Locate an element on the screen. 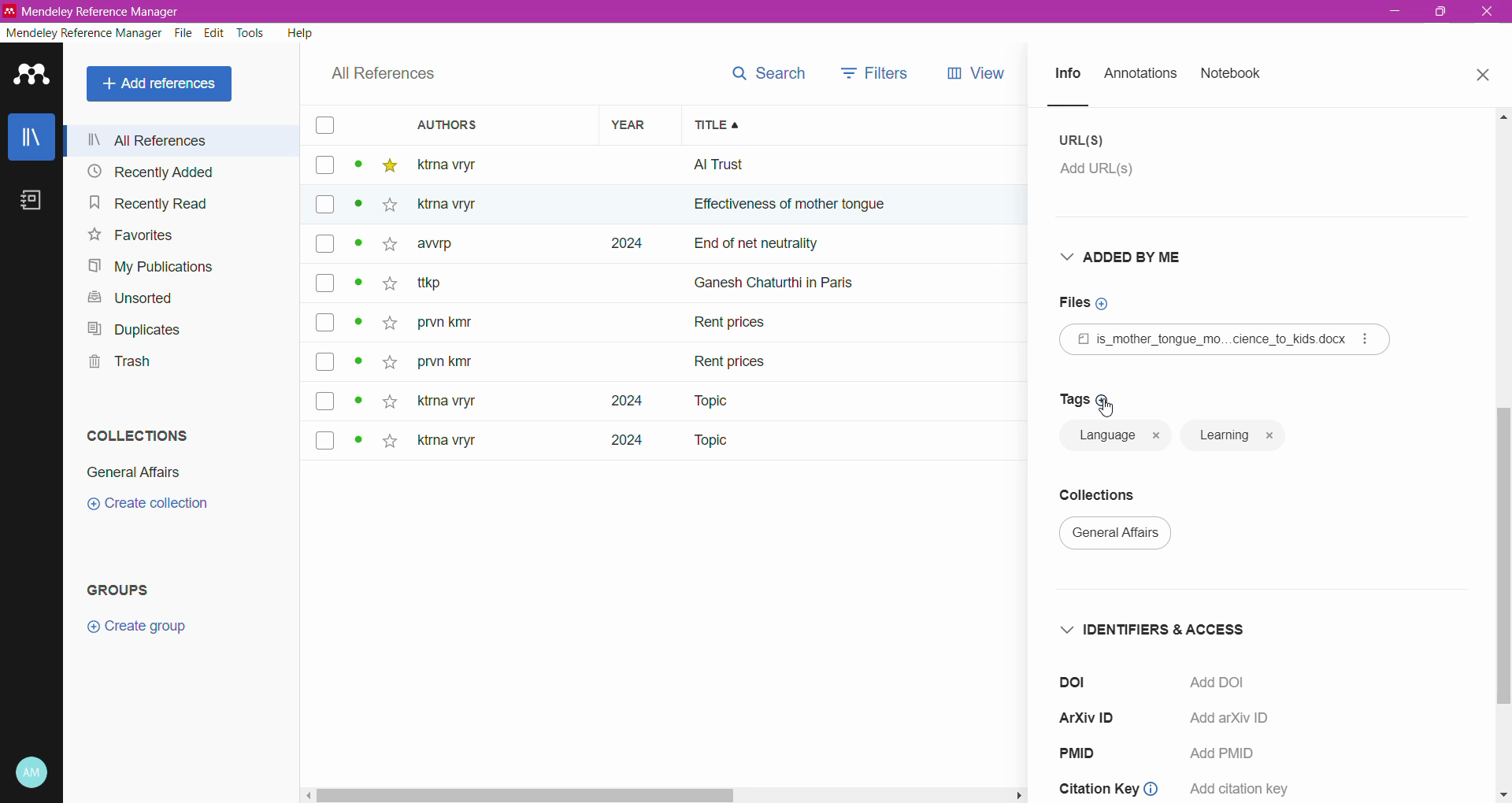 The image size is (1512, 803). star is located at coordinates (389, 166).